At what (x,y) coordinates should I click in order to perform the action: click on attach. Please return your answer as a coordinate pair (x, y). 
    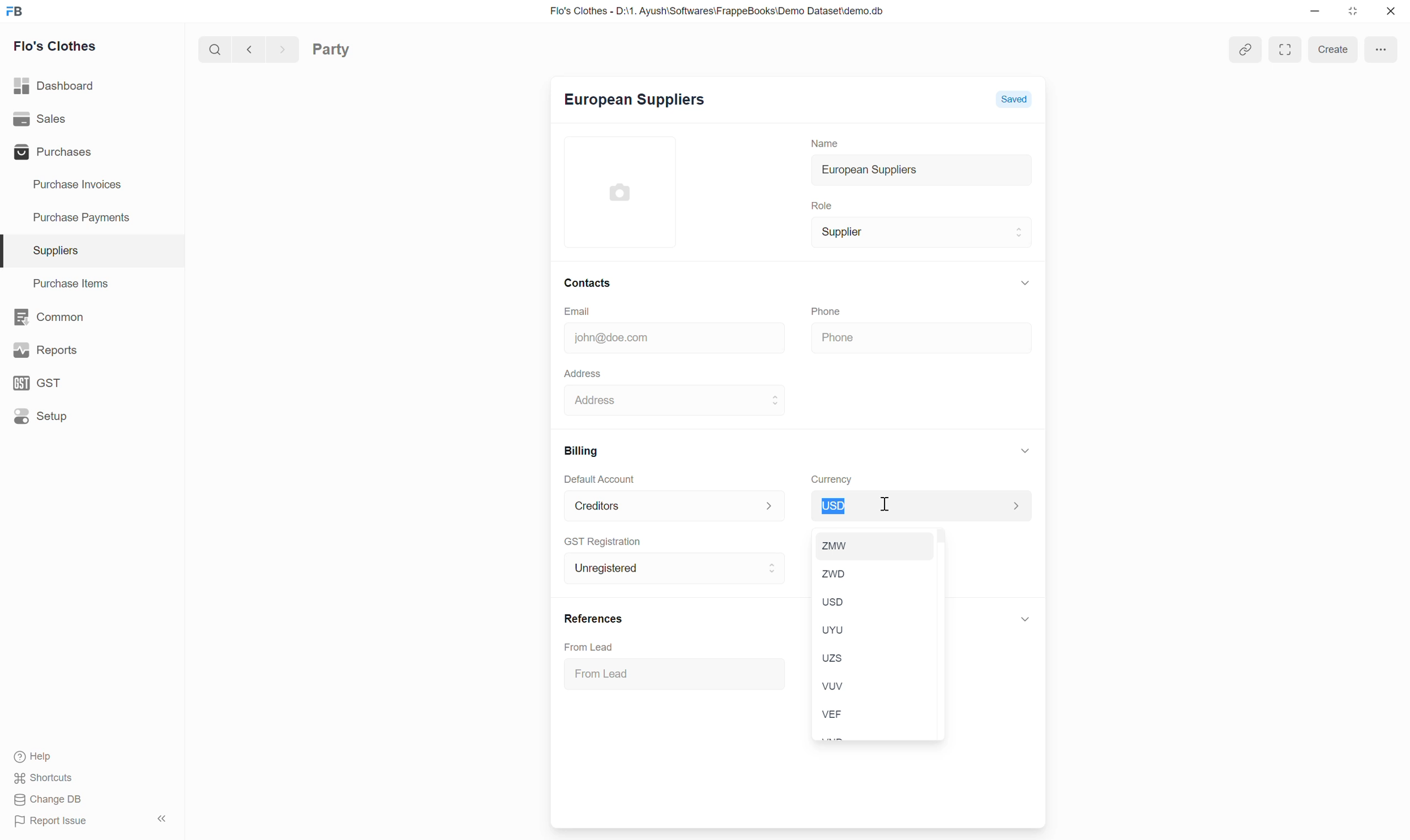
    Looking at the image, I should click on (1246, 48).